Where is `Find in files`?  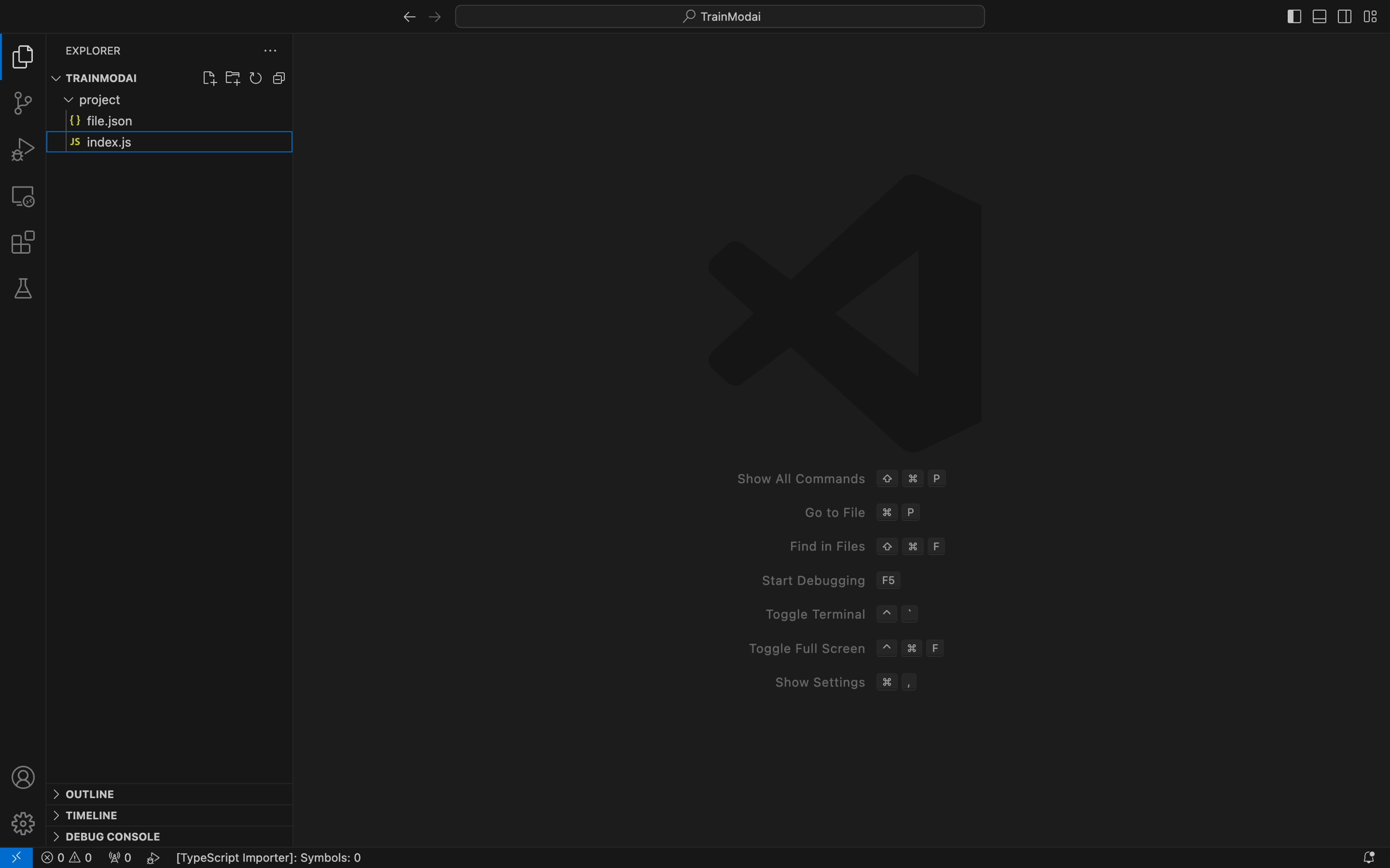
Find in files is located at coordinates (872, 545).